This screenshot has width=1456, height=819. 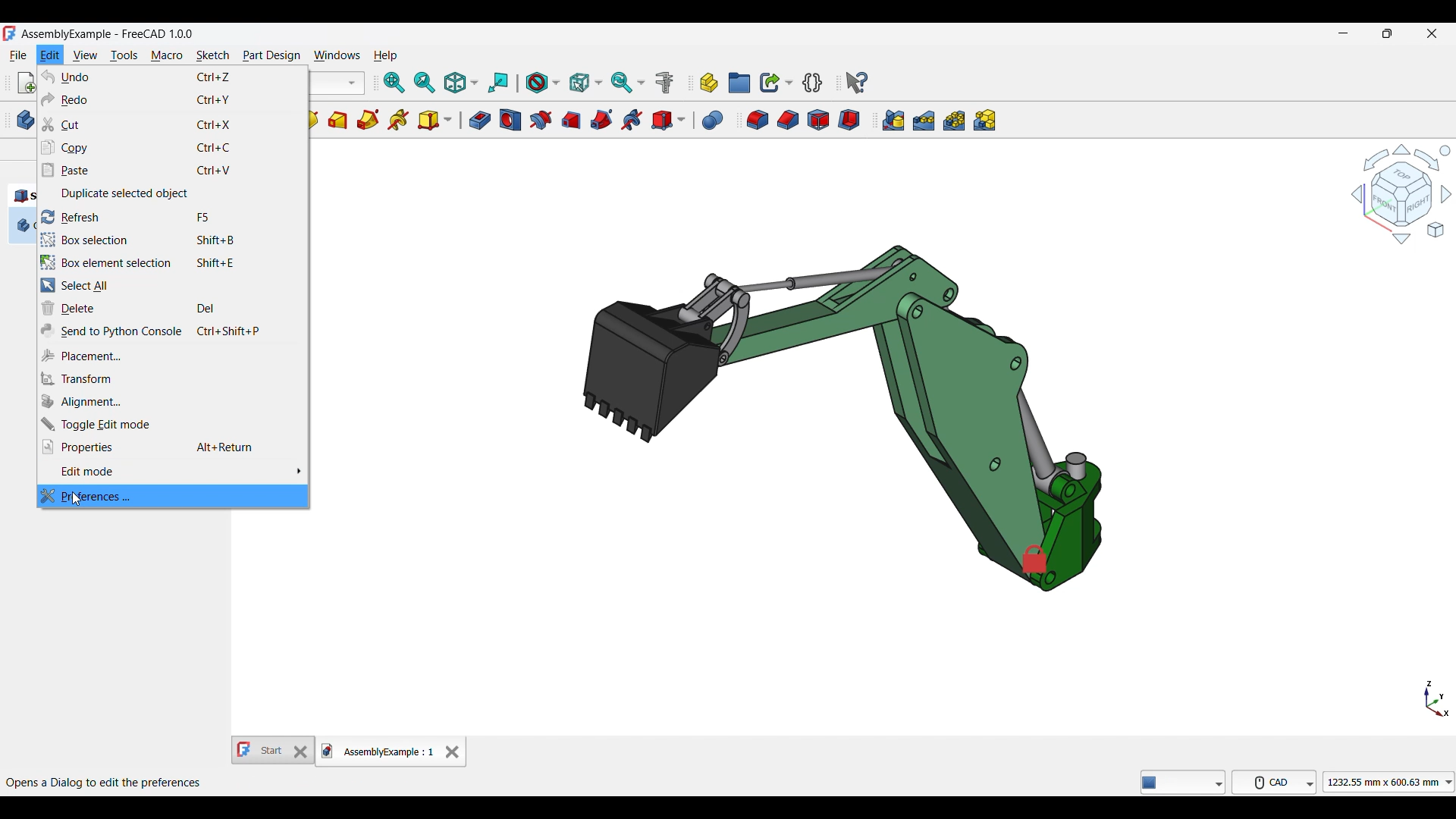 What do you see at coordinates (1185, 782) in the screenshot?
I see `freeCAD tools` at bounding box center [1185, 782].